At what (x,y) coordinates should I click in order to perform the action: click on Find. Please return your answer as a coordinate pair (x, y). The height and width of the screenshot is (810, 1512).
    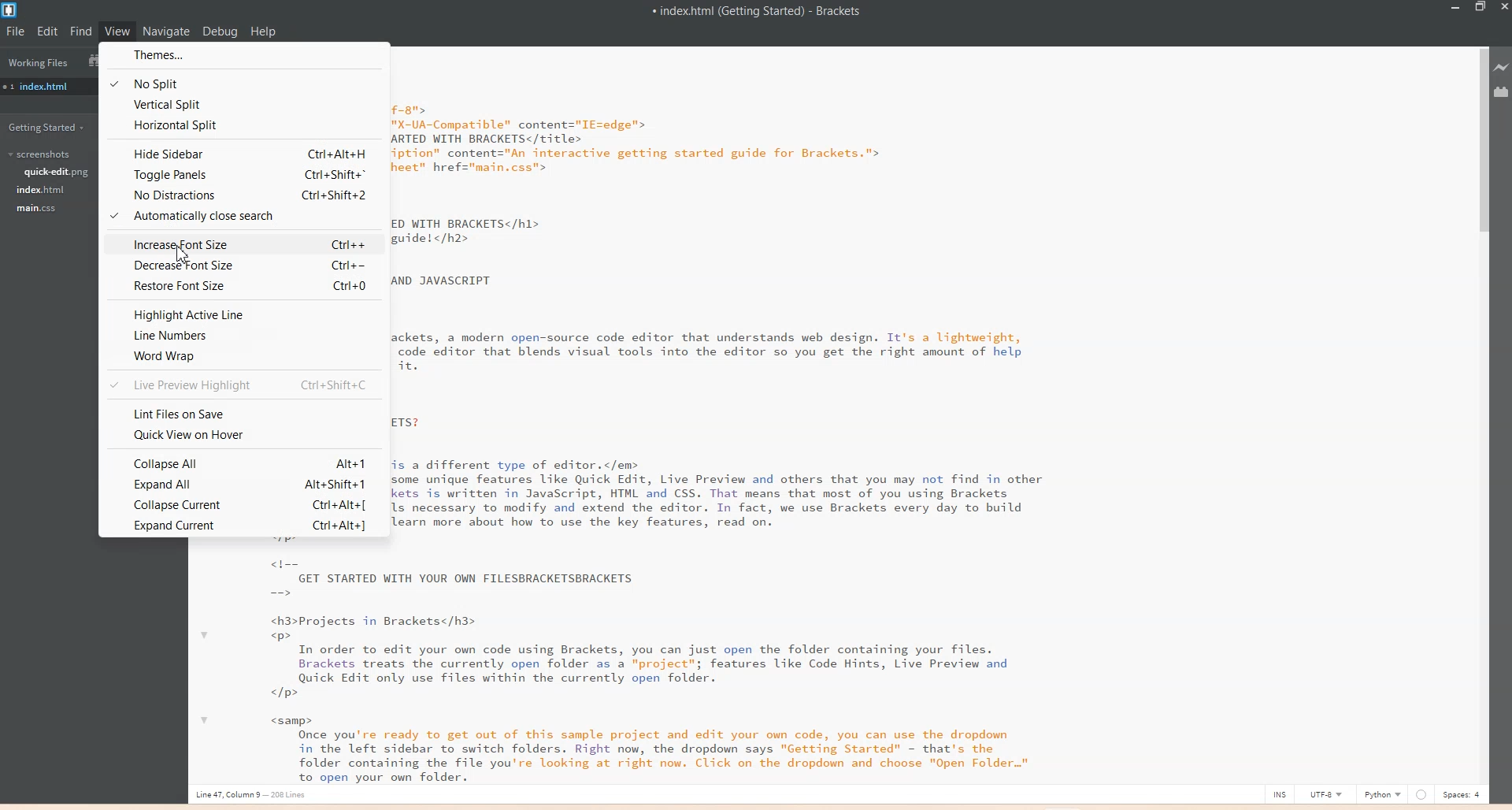
    Looking at the image, I should click on (81, 31).